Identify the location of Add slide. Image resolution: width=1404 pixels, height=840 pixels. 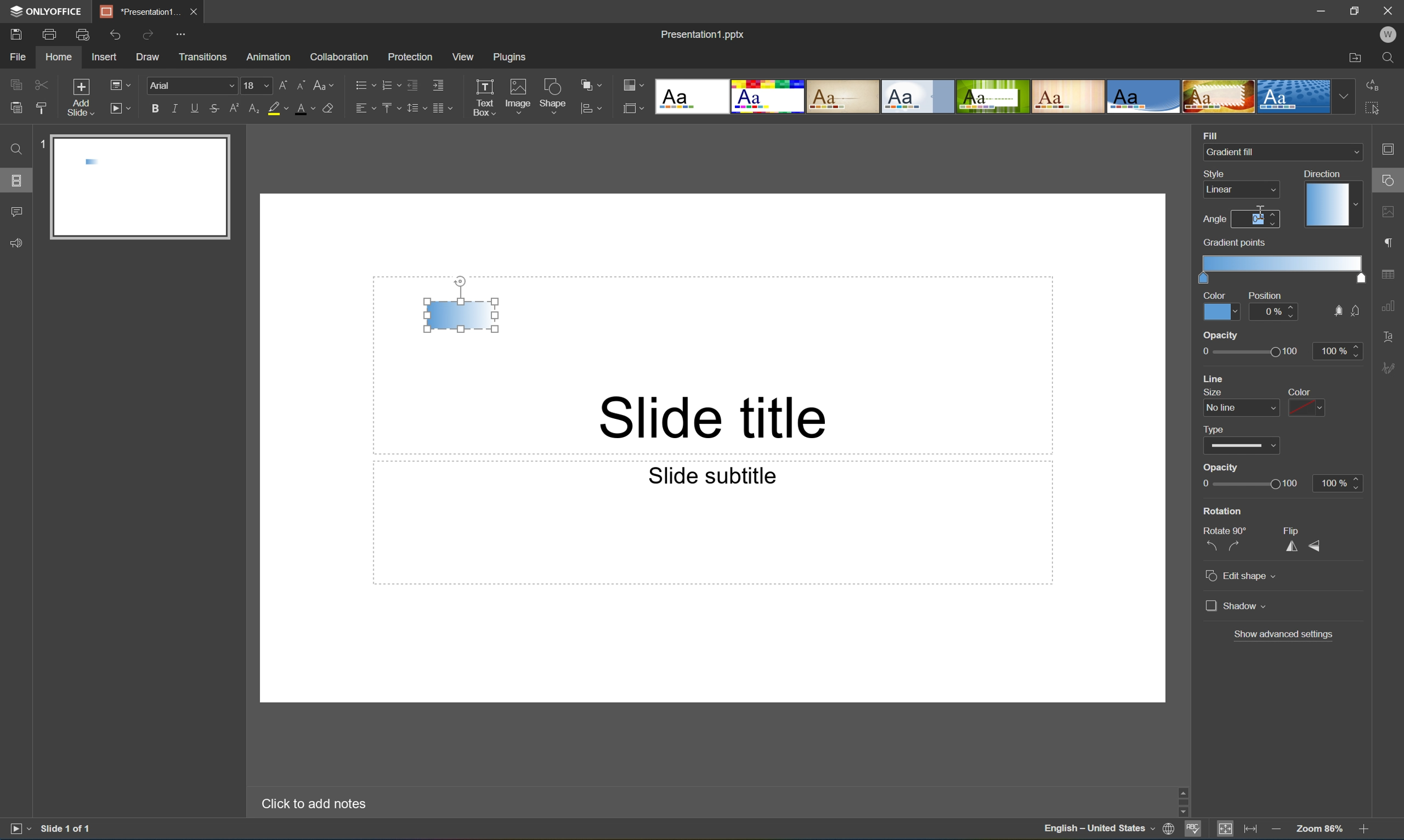
(78, 98).